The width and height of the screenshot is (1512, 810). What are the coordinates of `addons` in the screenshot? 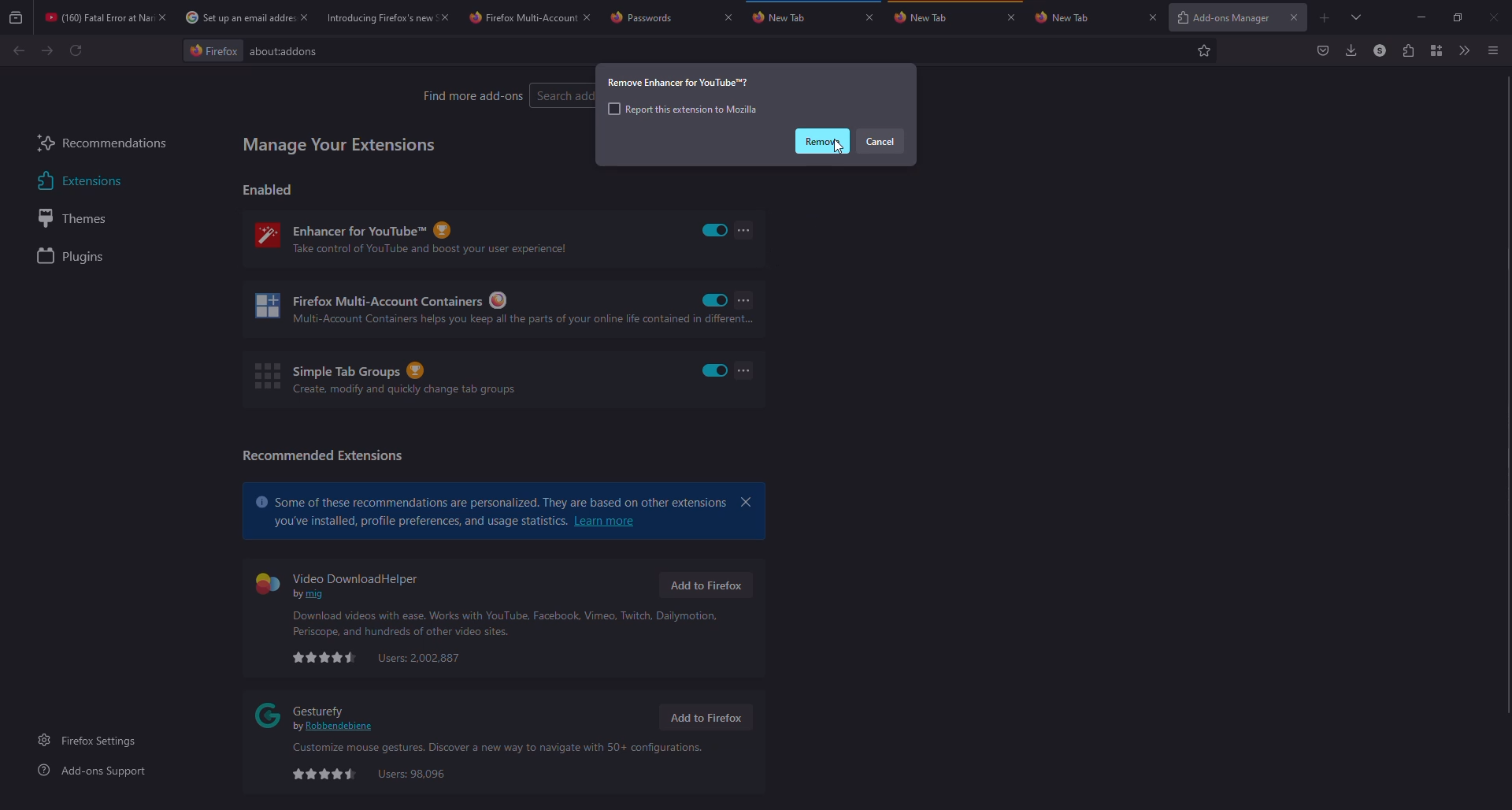 It's located at (290, 51).